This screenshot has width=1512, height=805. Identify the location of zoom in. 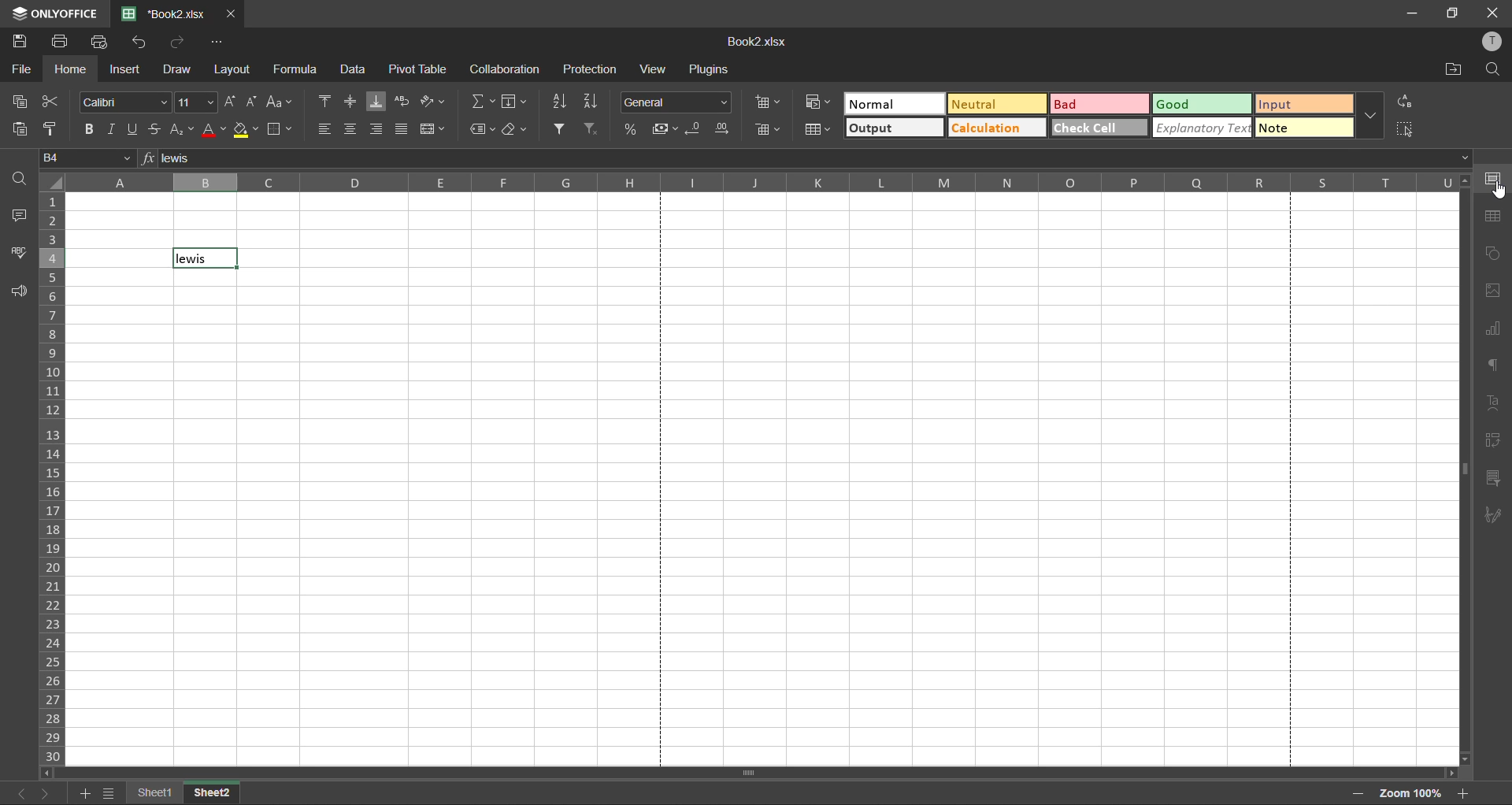
(1356, 793).